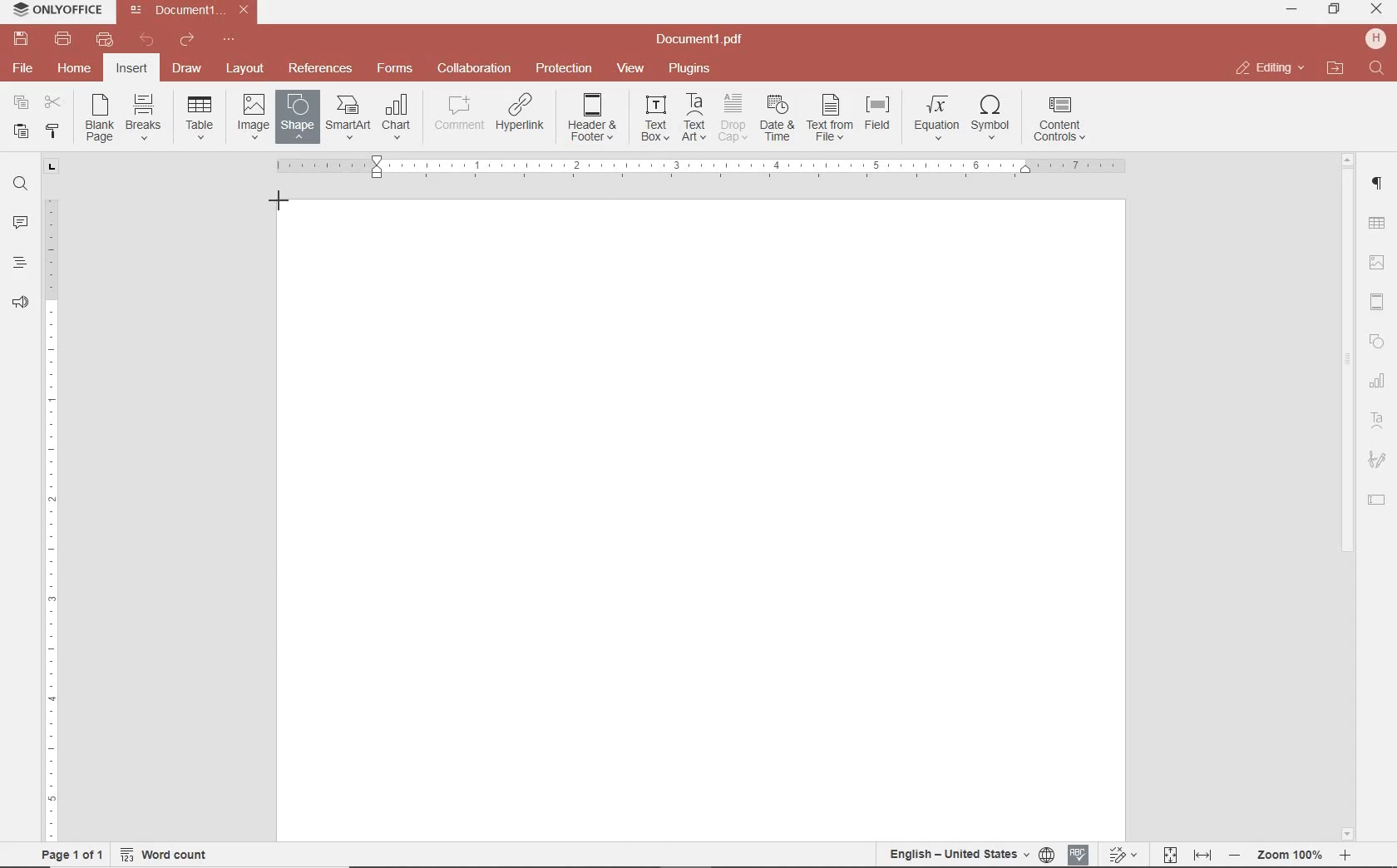 The image size is (1397, 868). I want to click on hp, so click(1379, 38).